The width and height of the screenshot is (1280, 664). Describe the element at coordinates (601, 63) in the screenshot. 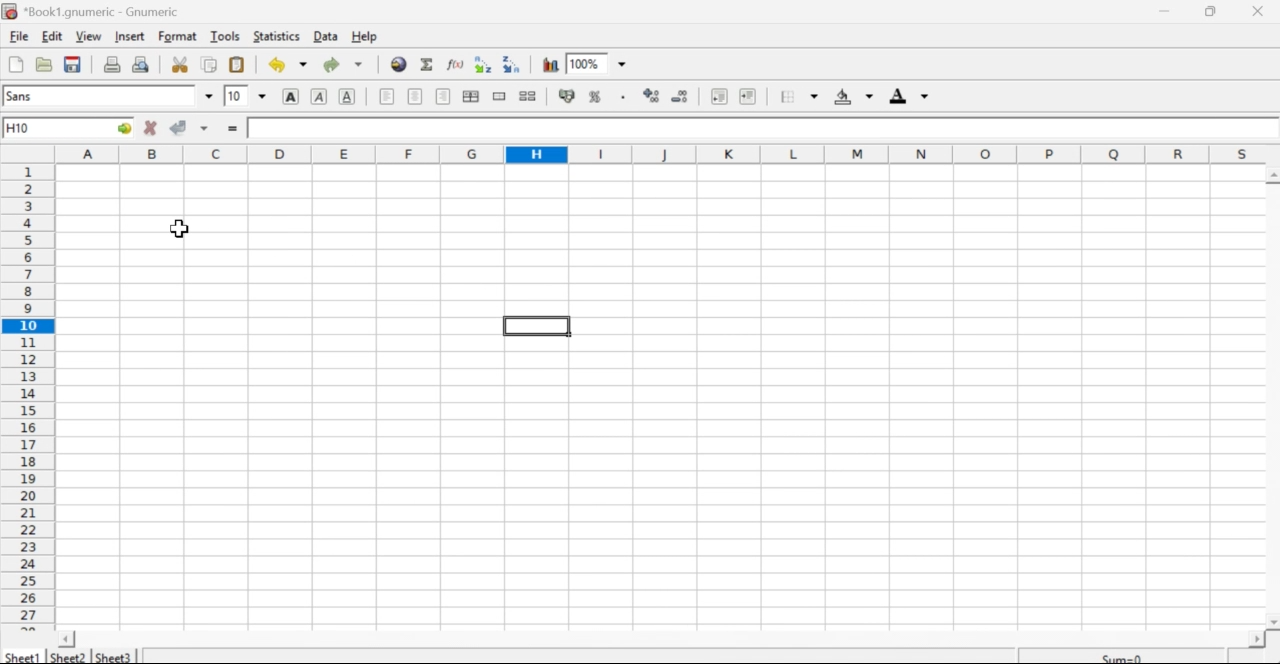

I see `Zoom` at that location.